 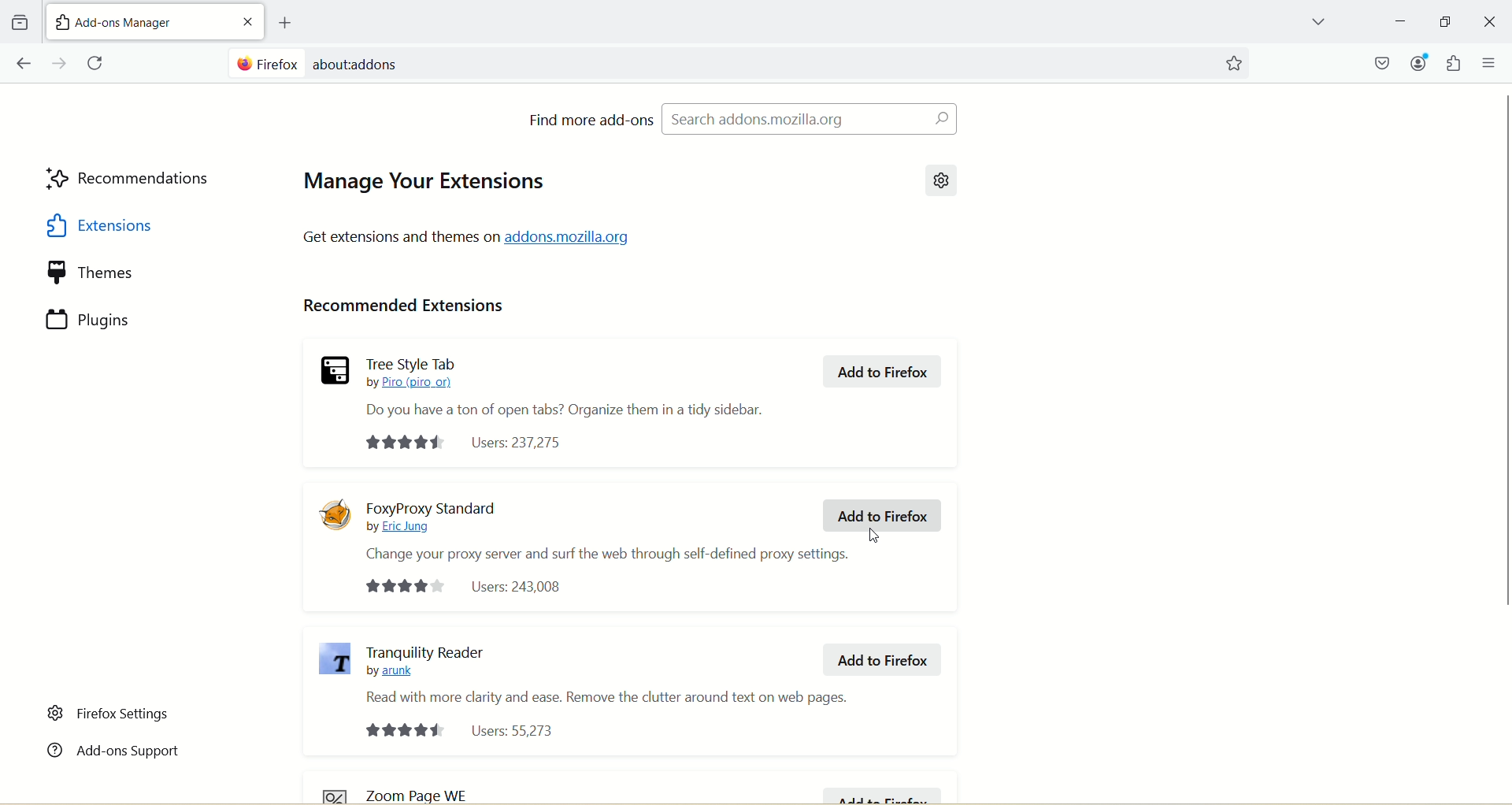 I want to click on Add to Firefox, so click(x=881, y=516).